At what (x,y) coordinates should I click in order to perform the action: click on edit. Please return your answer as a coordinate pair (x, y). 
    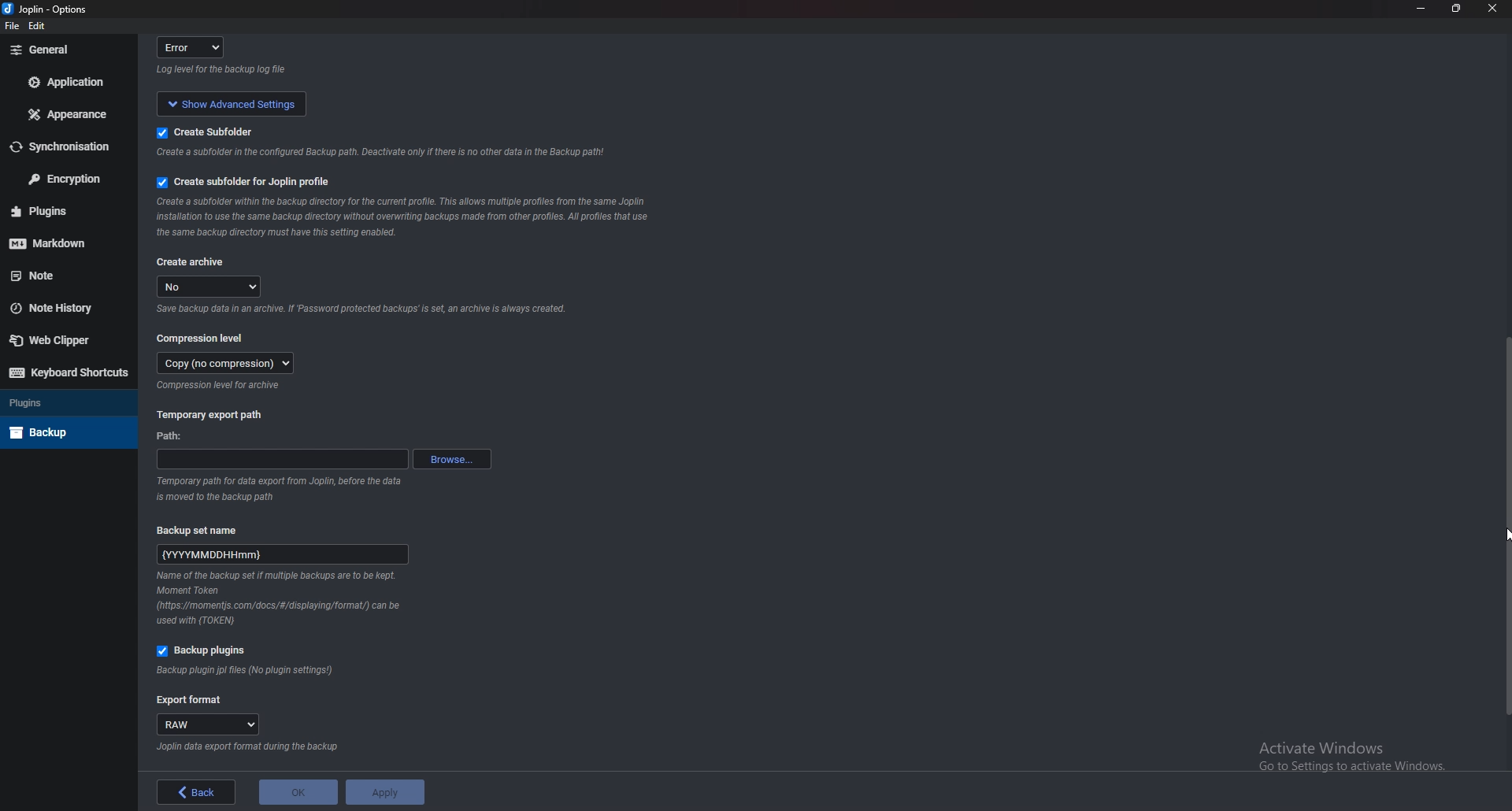
    Looking at the image, I should click on (39, 28).